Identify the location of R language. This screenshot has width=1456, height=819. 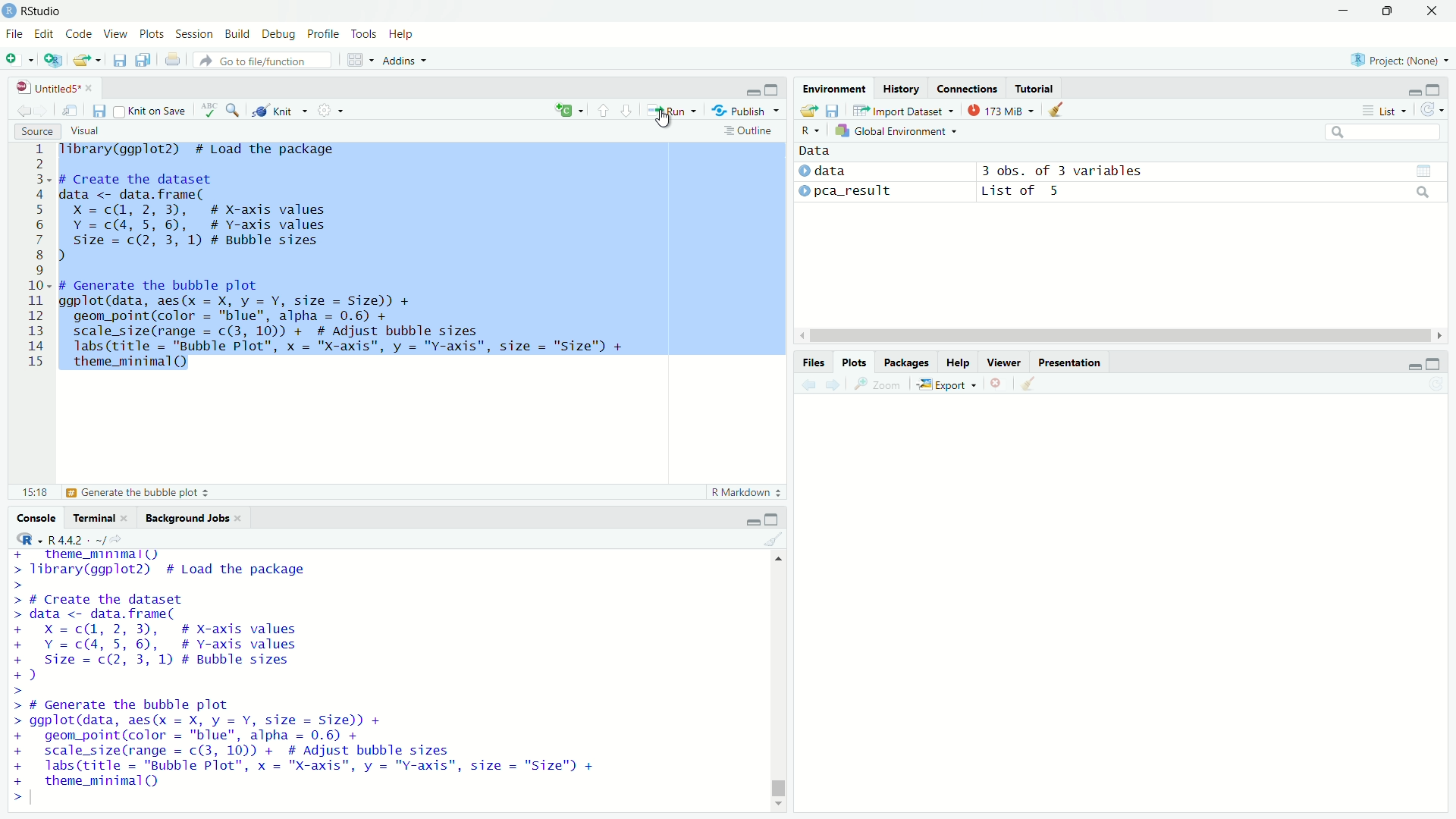
(25, 538).